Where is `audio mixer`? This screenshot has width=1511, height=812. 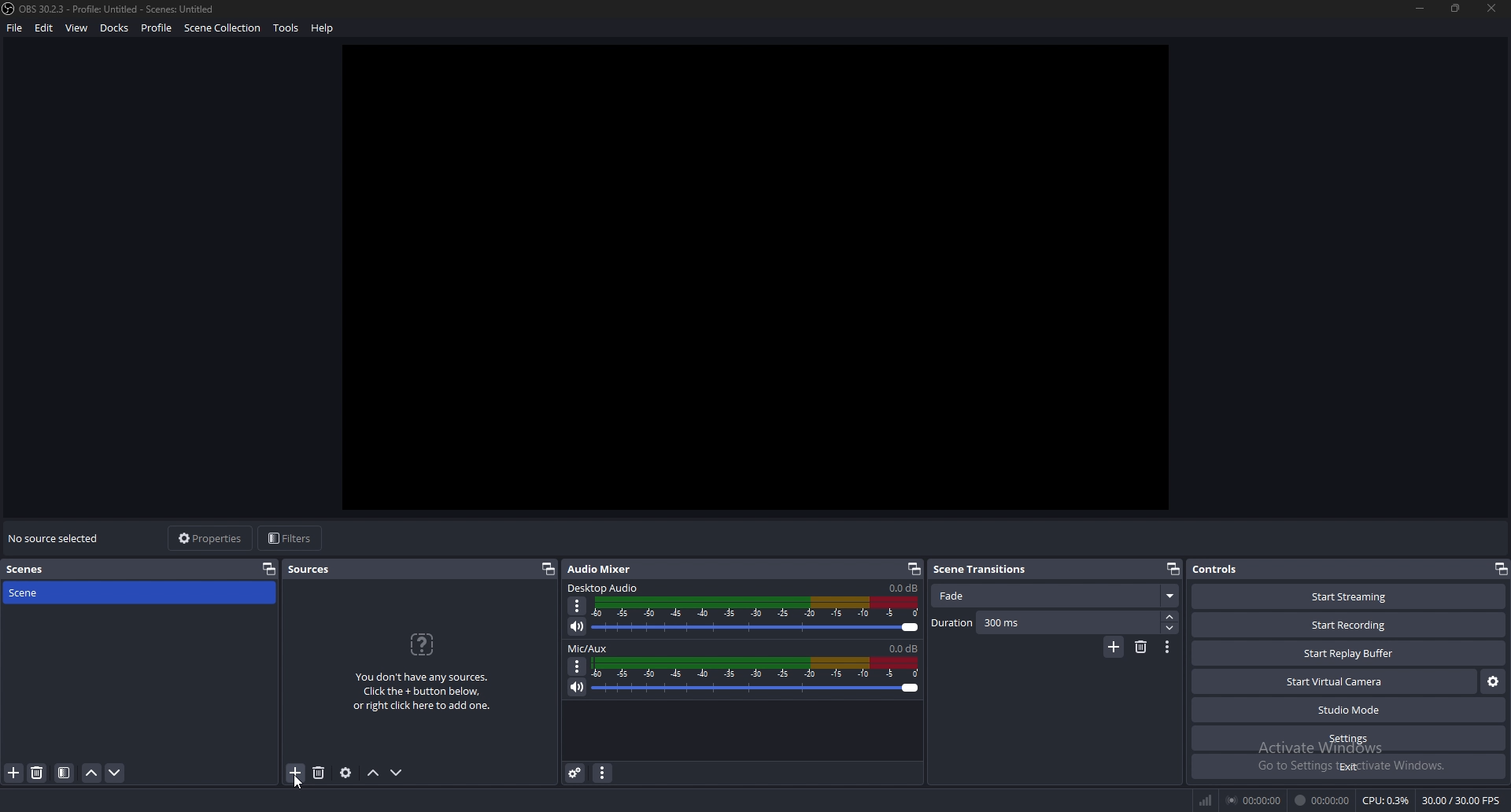
audio mixer is located at coordinates (608, 568).